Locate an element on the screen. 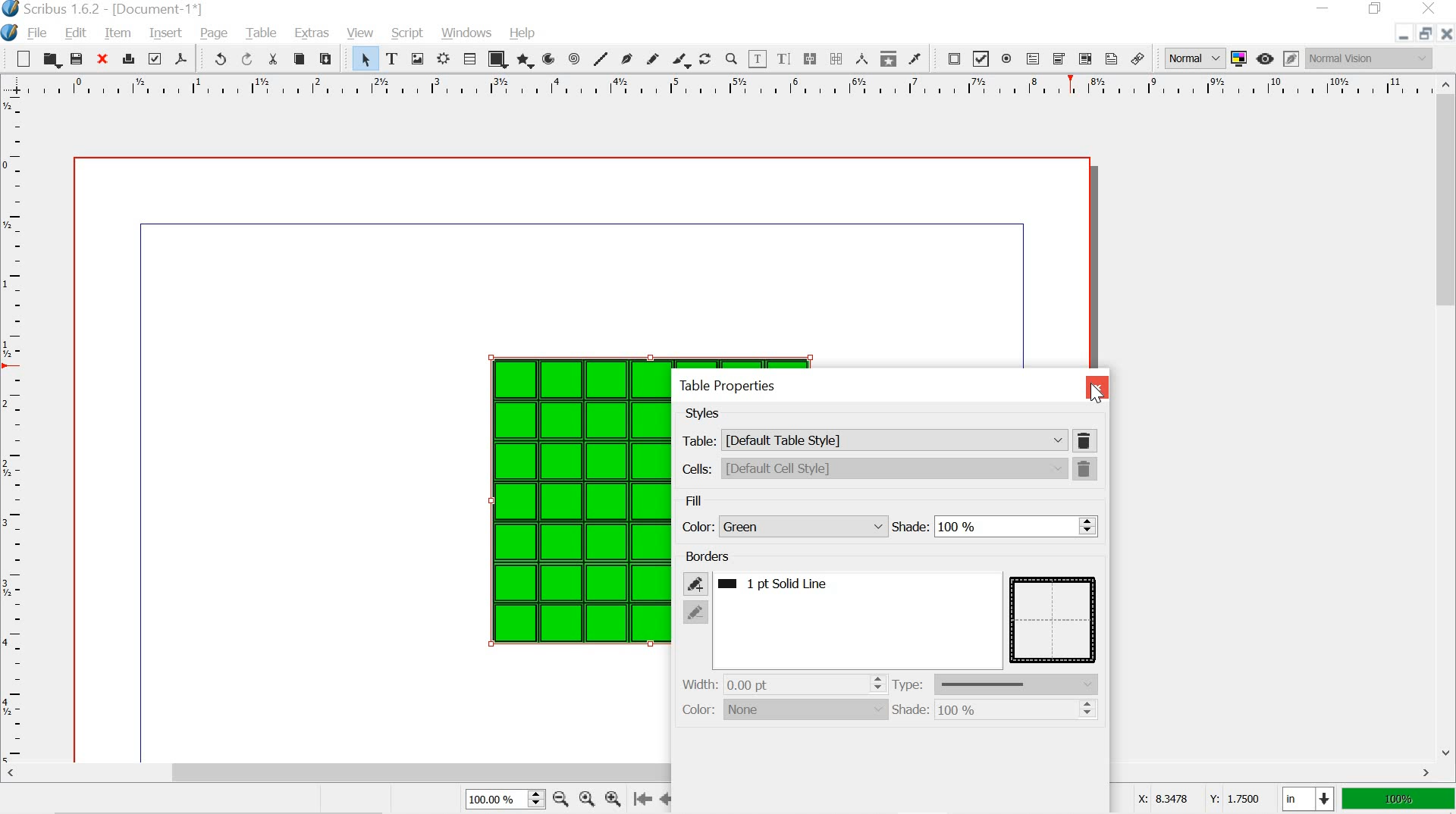 This screenshot has height=814, width=1456. select item is located at coordinates (365, 60).